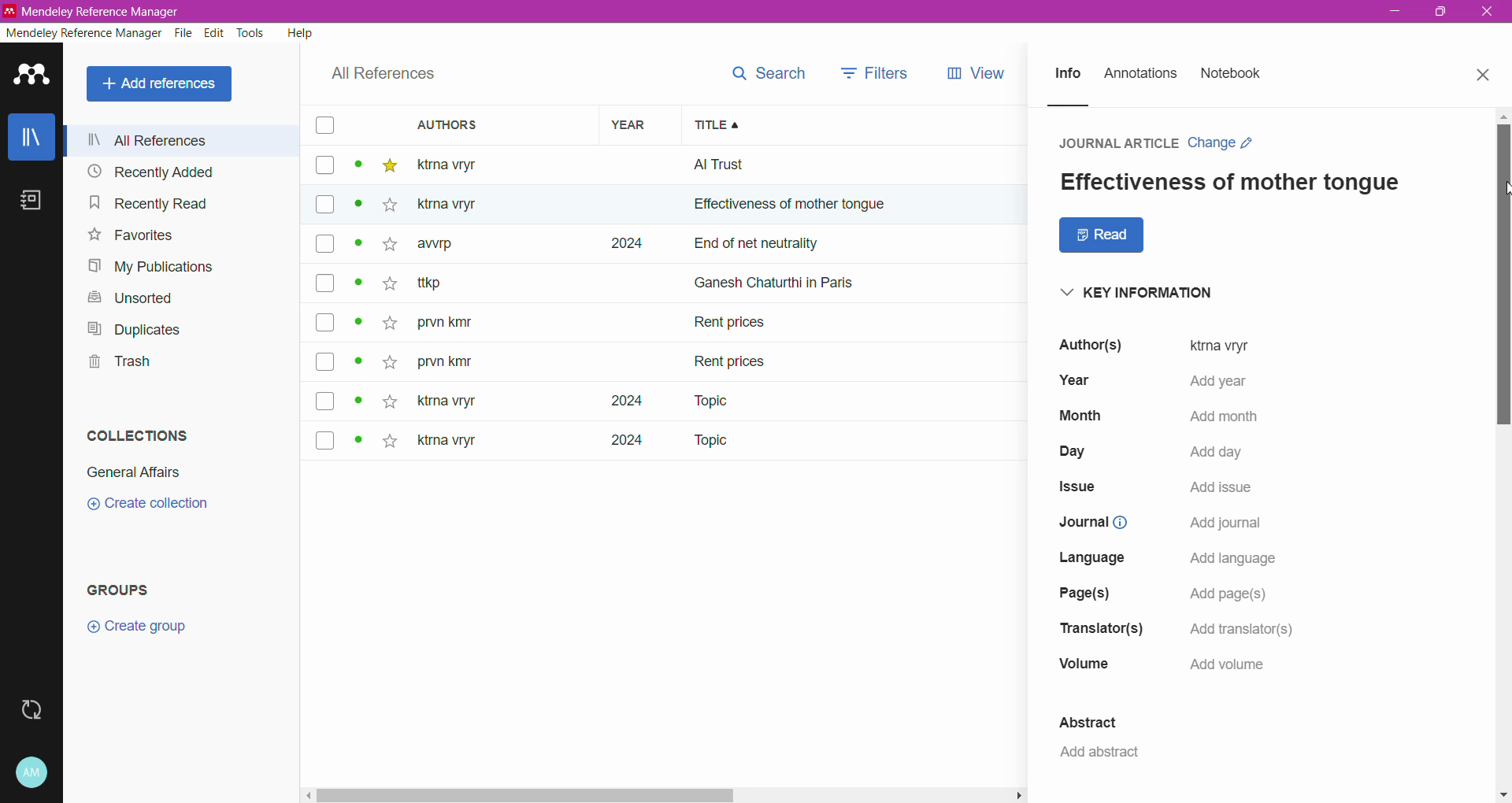  What do you see at coordinates (32, 76) in the screenshot?
I see `Application Logo` at bounding box center [32, 76].